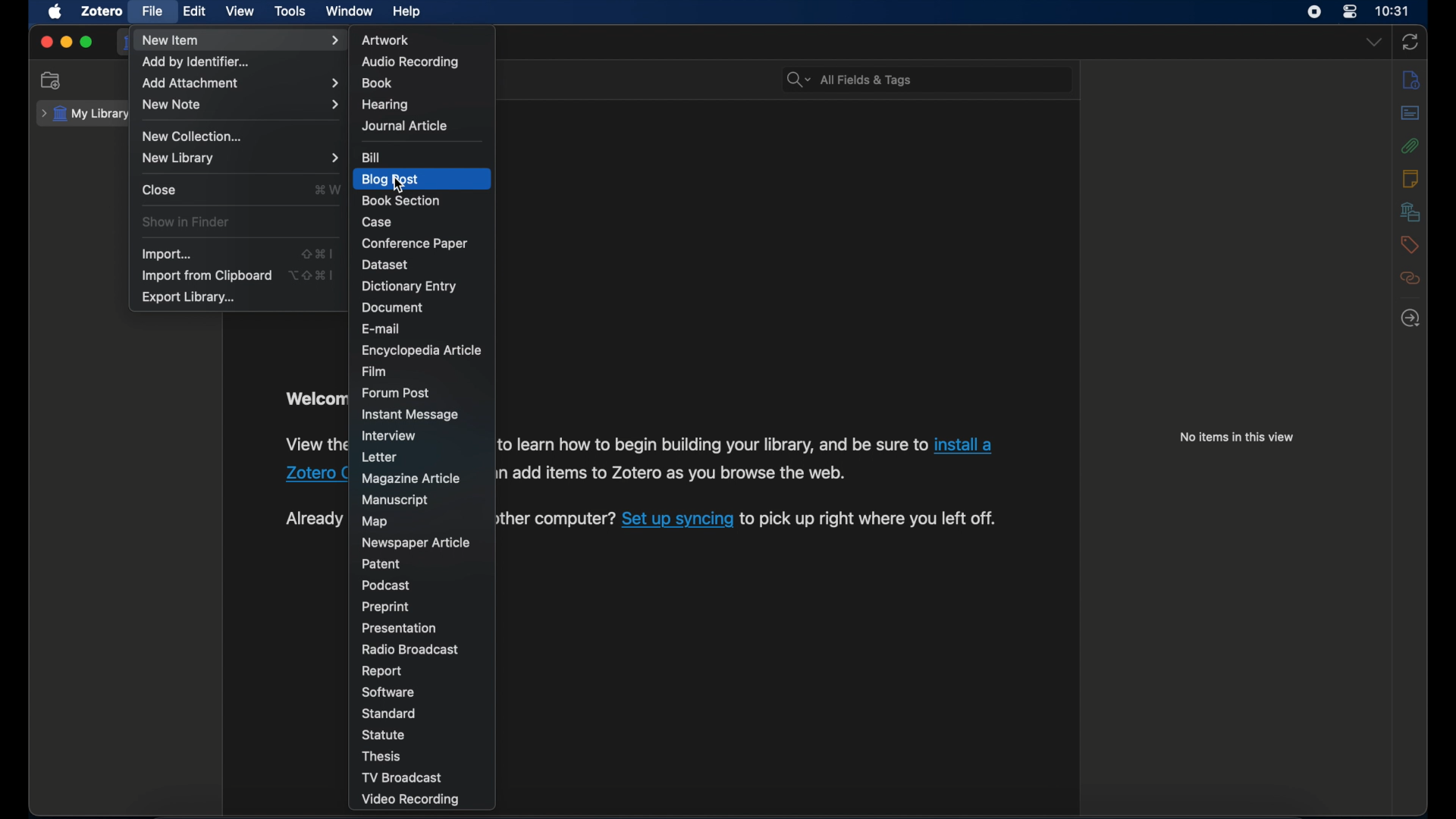  Describe the element at coordinates (677, 475) in the screenshot. I see `` at that location.